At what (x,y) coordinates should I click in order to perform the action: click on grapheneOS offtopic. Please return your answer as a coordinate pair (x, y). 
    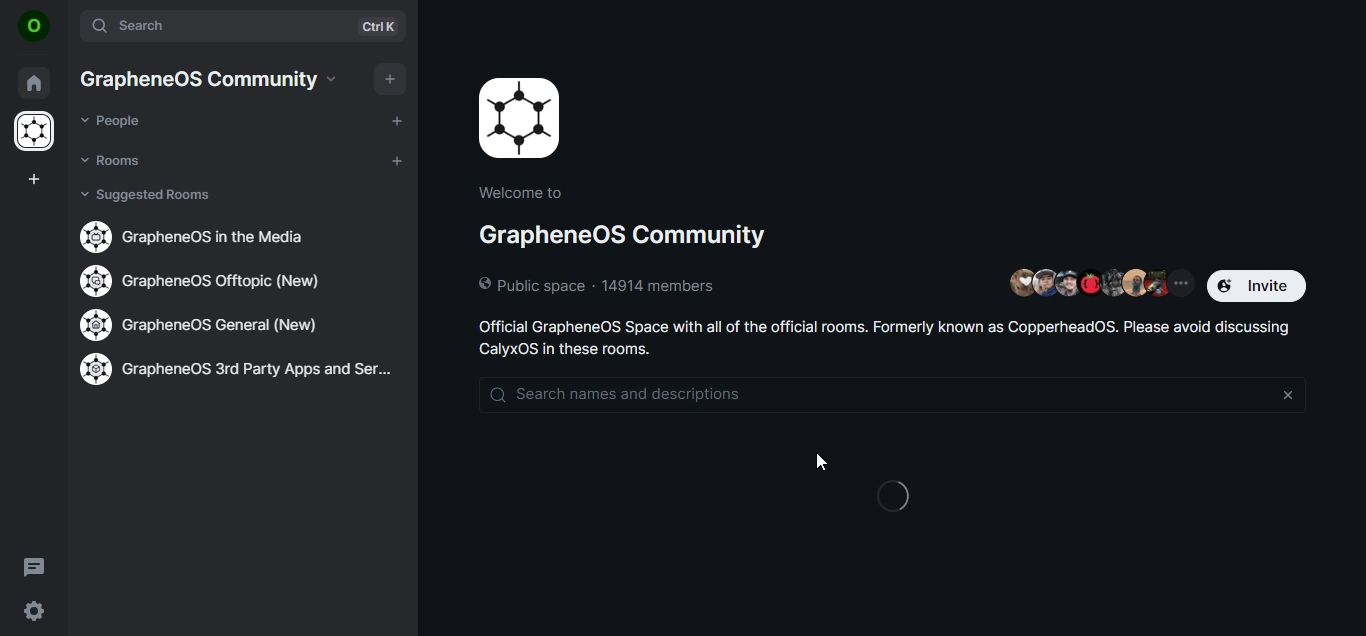
    Looking at the image, I should click on (213, 280).